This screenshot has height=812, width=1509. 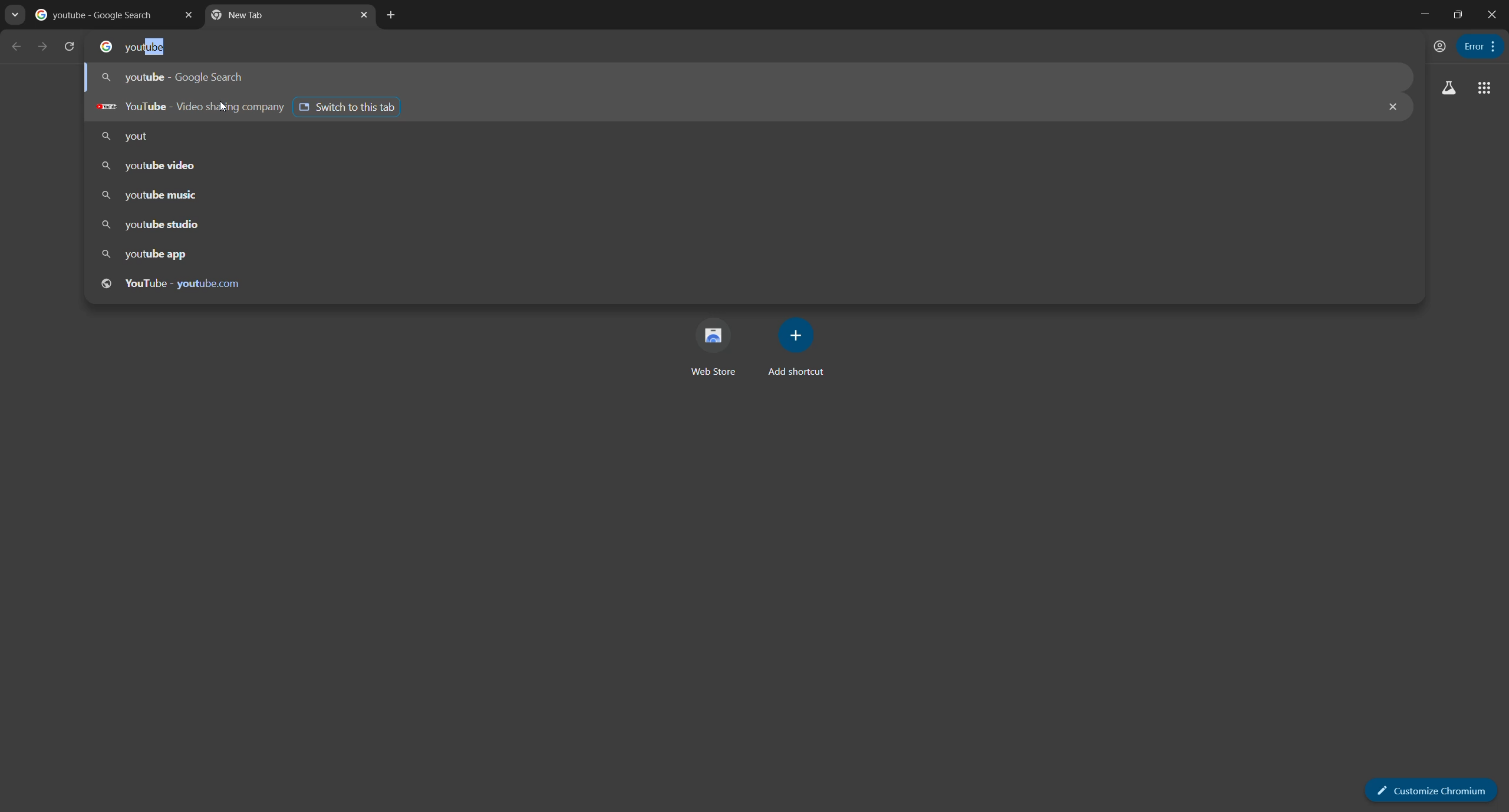 I want to click on reload, so click(x=71, y=46).